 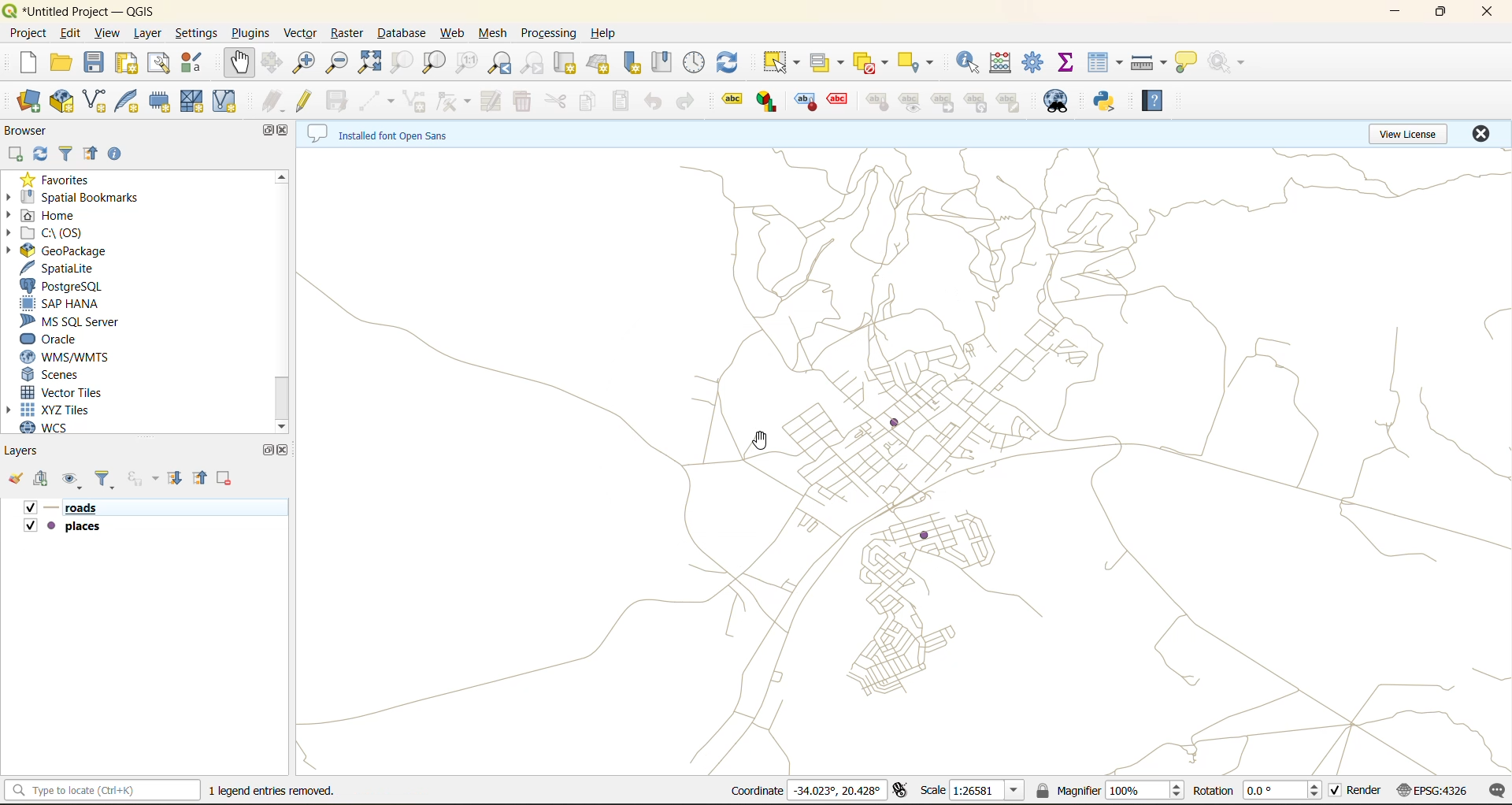 What do you see at coordinates (1494, 789) in the screenshot?
I see `log messages` at bounding box center [1494, 789].